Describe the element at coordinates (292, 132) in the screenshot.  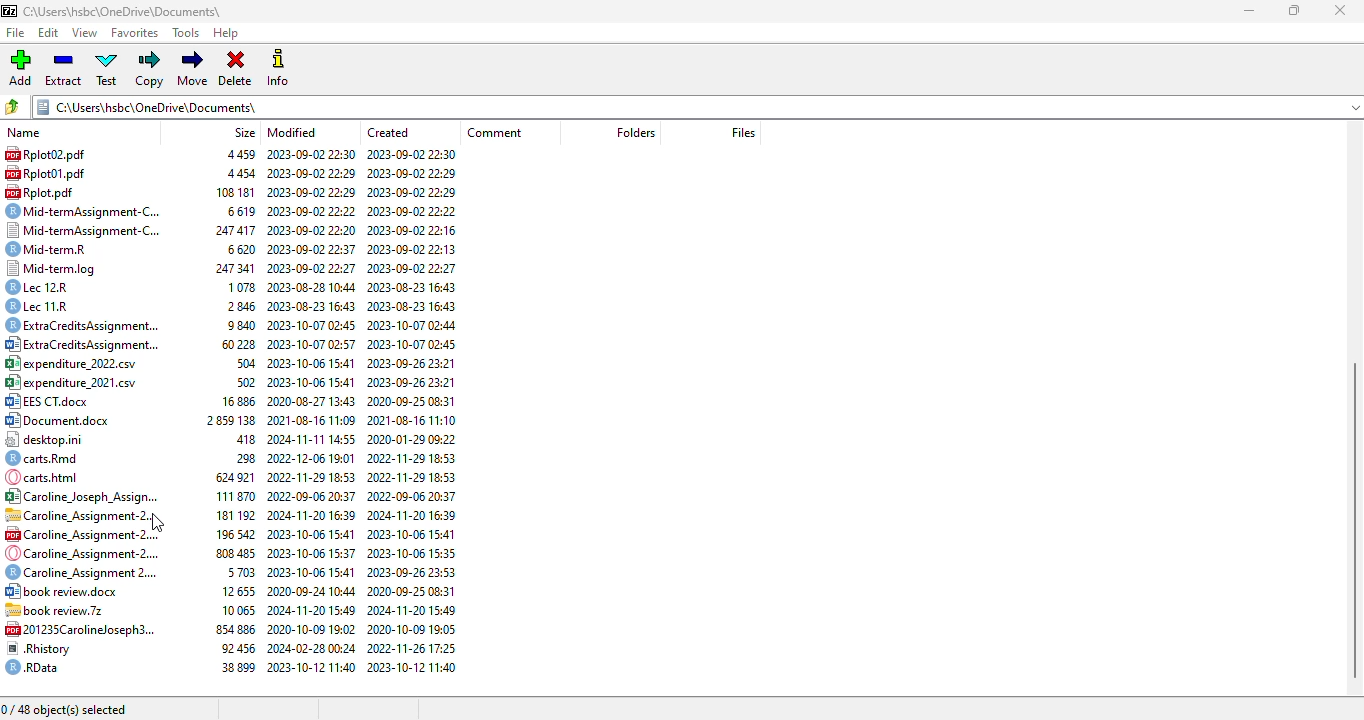
I see `modified` at that location.